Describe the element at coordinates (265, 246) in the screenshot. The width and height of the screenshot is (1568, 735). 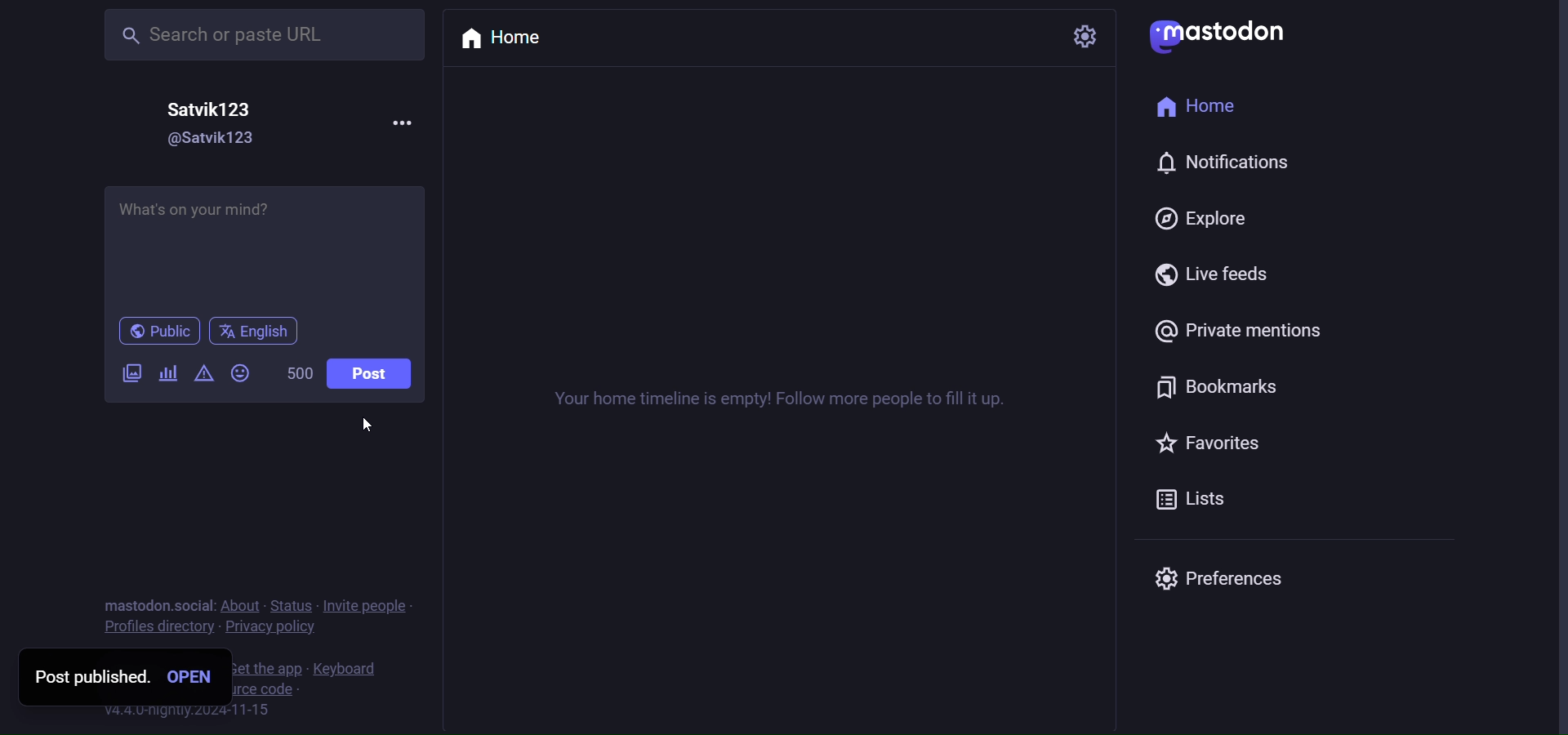
I see `whats on your mind` at that location.